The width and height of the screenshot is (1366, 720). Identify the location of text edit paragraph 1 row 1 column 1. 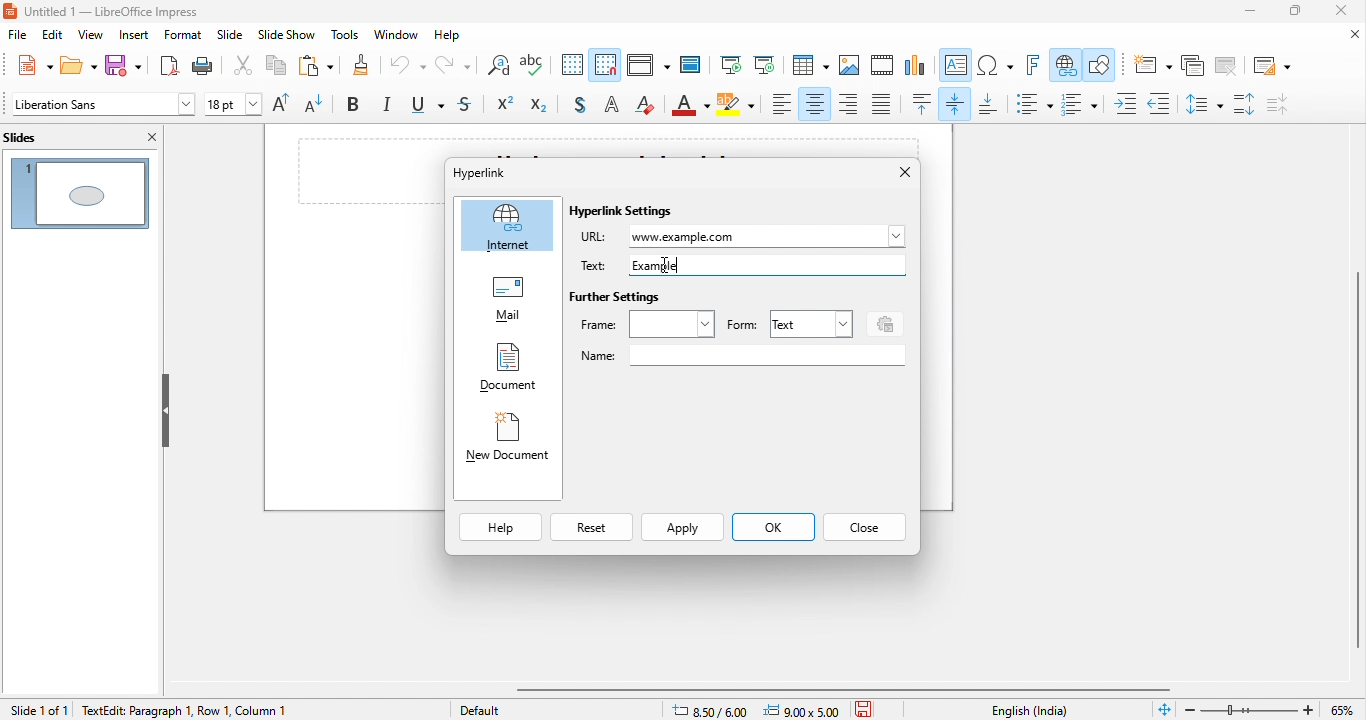
(238, 709).